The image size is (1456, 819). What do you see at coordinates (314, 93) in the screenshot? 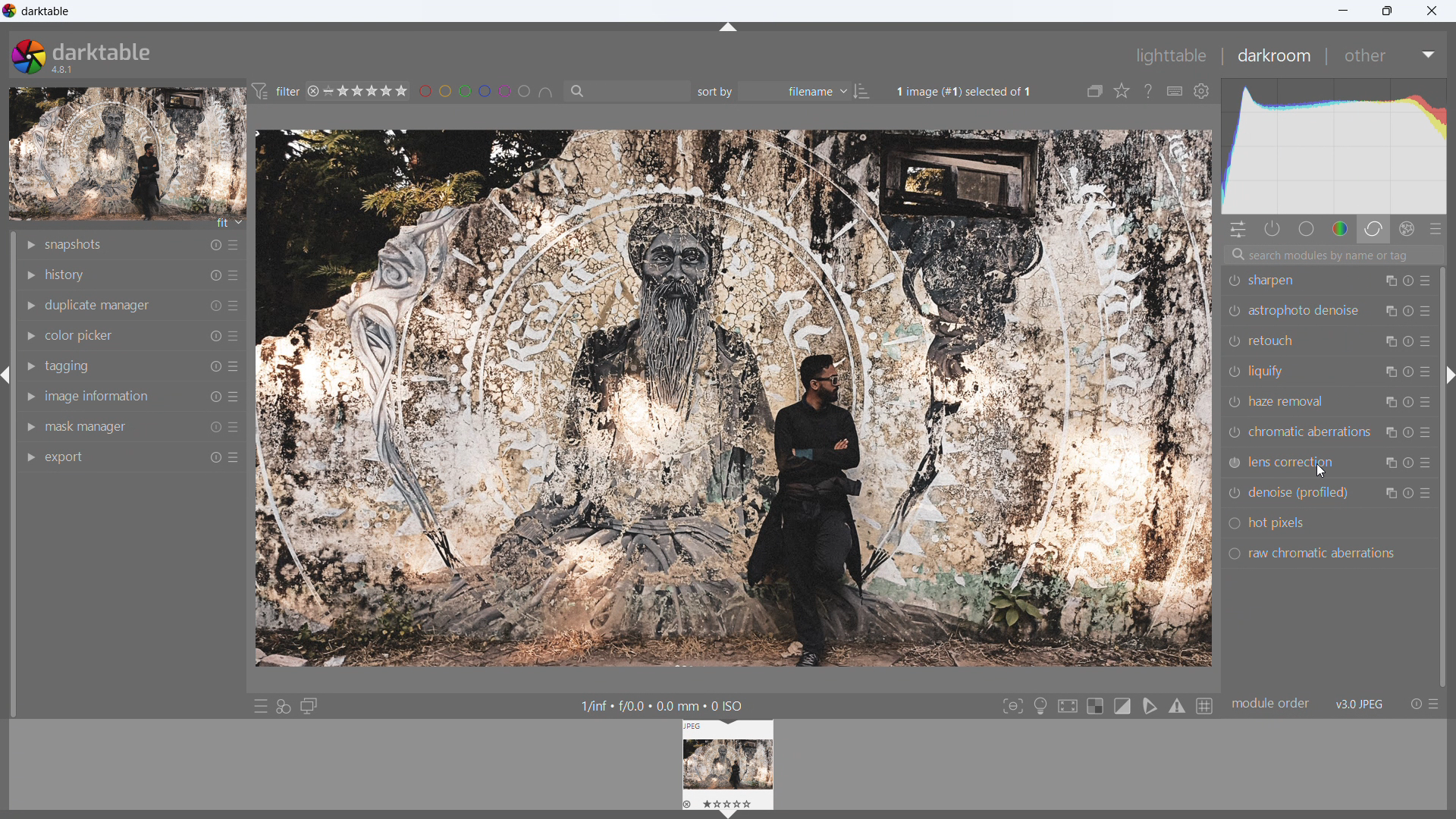
I see `reject rating` at bounding box center [314, 93].